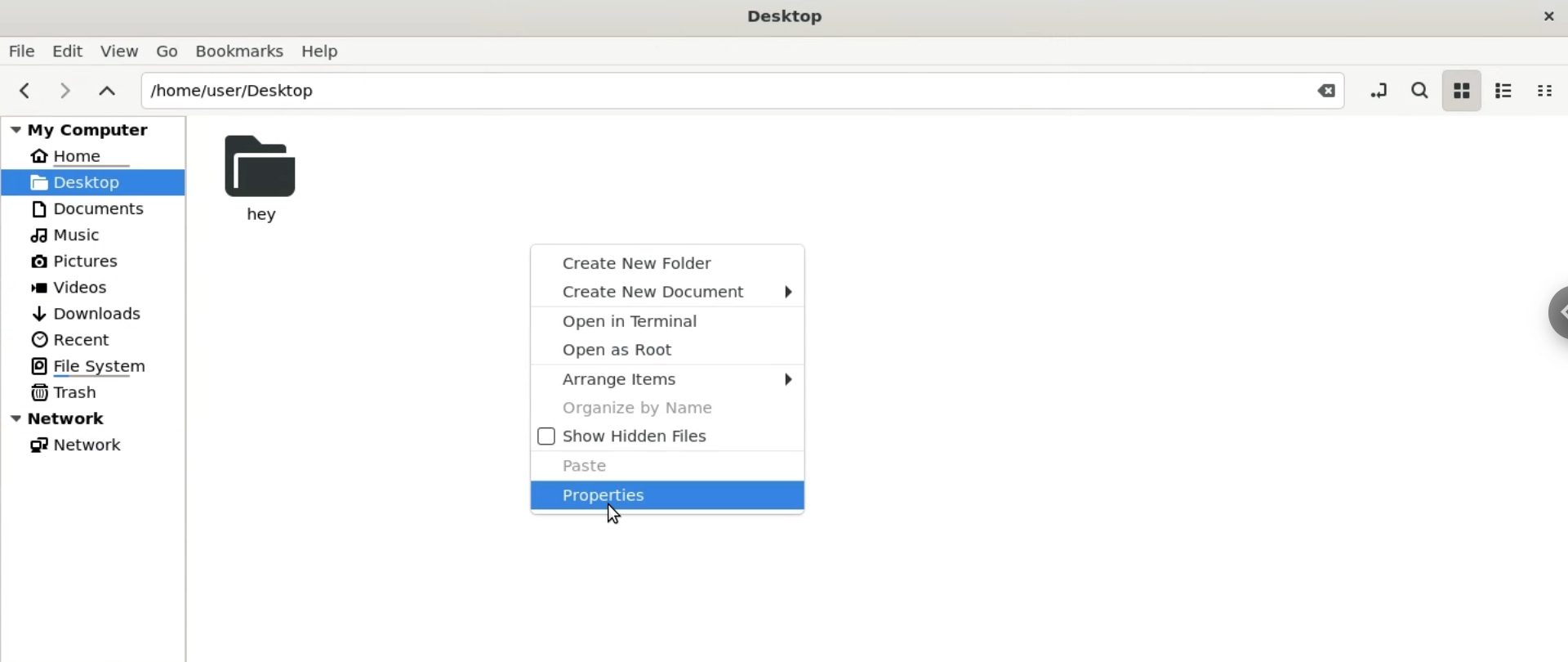 This screenshot has width=1568, height=662. Describe the element at coordinates (243, 50) in the screenshot. I see `bookmarks` at that location.